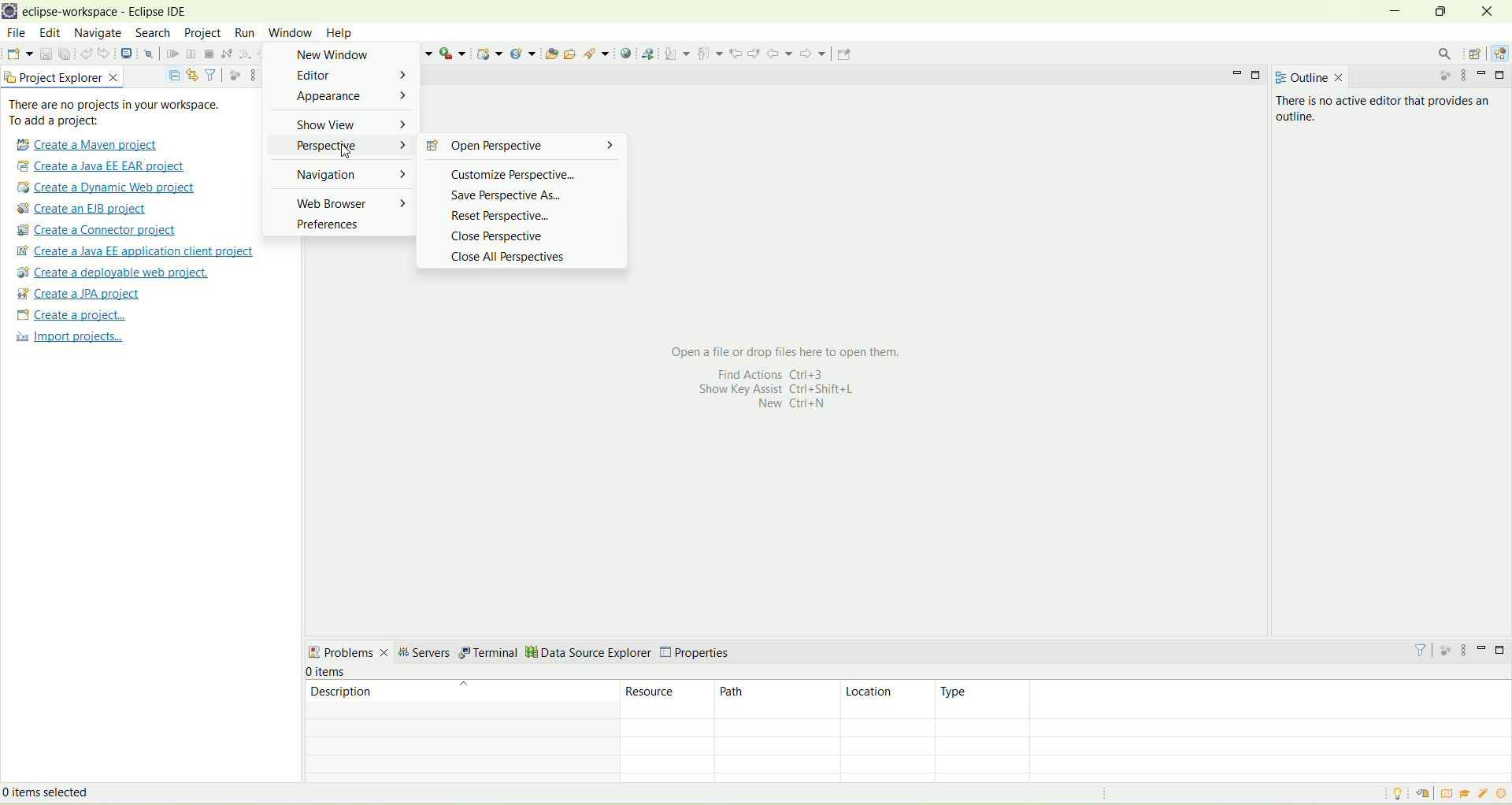 The height and width of the screenshot is (805, 1512). I want to click on show view, so click(348, 126).